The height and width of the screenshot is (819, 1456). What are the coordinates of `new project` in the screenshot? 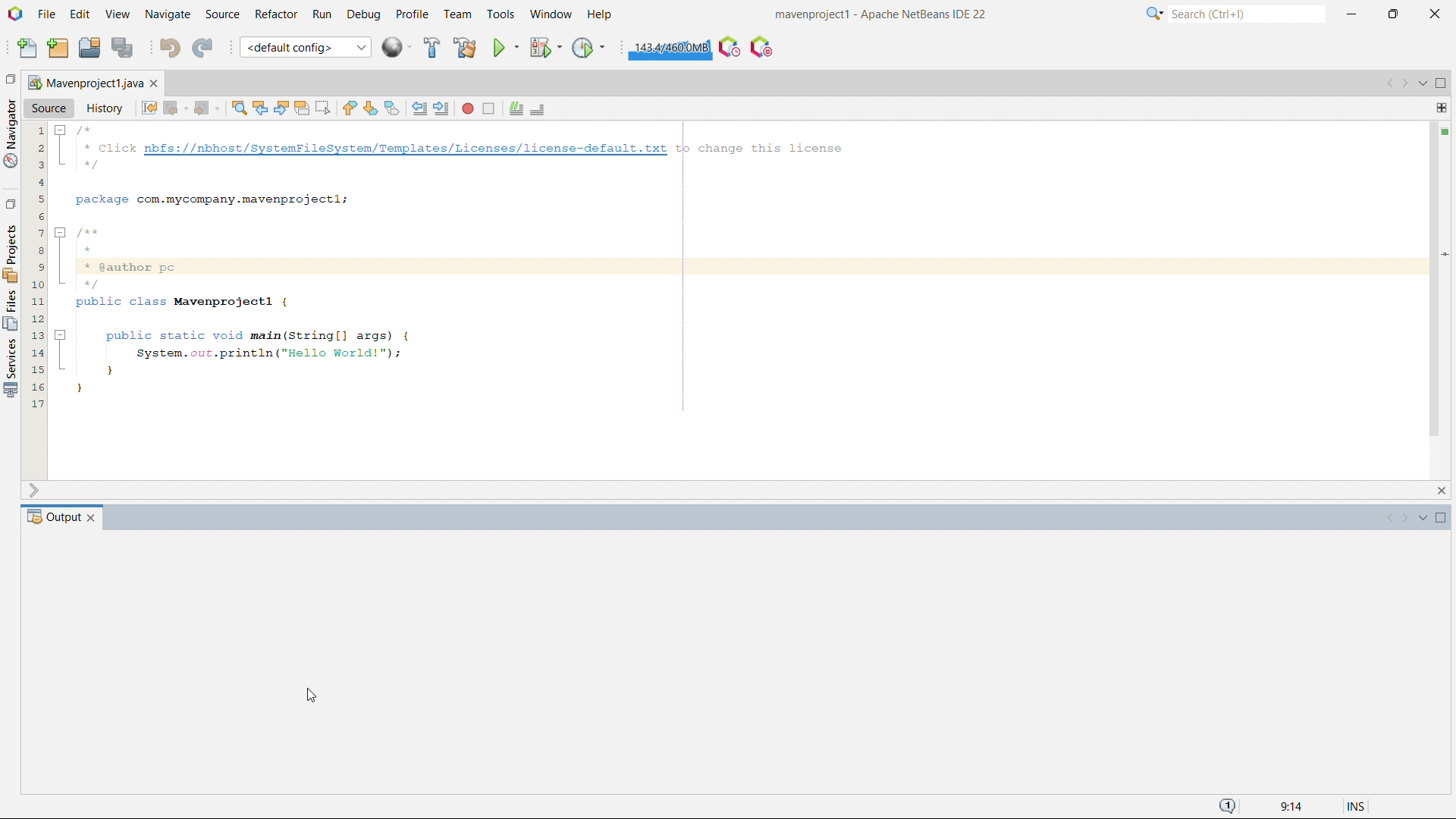 It's located at (58, 47).